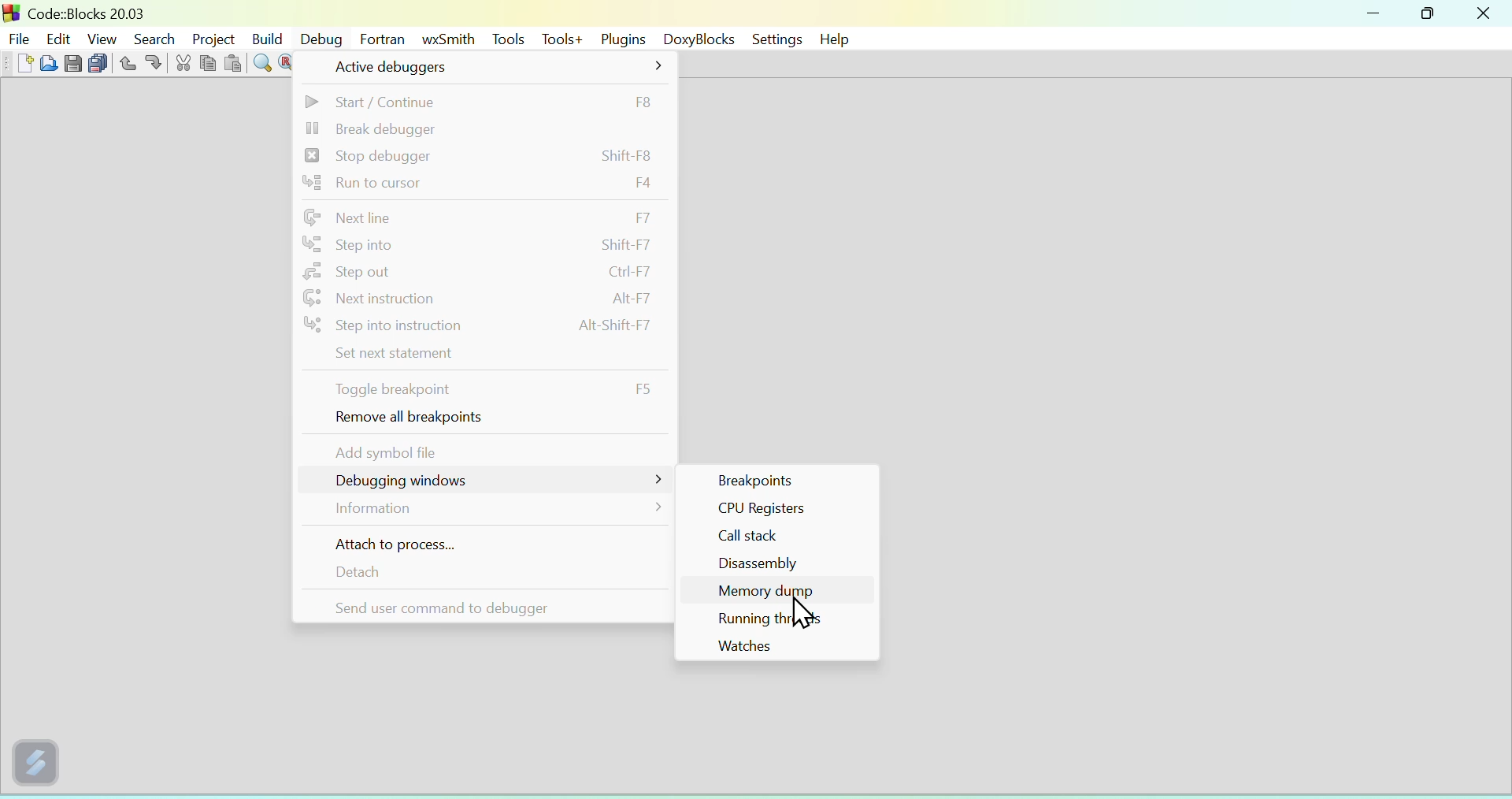  Describe the element at coordinates (776, 39) in the screenshot. I see `settings` at that location.